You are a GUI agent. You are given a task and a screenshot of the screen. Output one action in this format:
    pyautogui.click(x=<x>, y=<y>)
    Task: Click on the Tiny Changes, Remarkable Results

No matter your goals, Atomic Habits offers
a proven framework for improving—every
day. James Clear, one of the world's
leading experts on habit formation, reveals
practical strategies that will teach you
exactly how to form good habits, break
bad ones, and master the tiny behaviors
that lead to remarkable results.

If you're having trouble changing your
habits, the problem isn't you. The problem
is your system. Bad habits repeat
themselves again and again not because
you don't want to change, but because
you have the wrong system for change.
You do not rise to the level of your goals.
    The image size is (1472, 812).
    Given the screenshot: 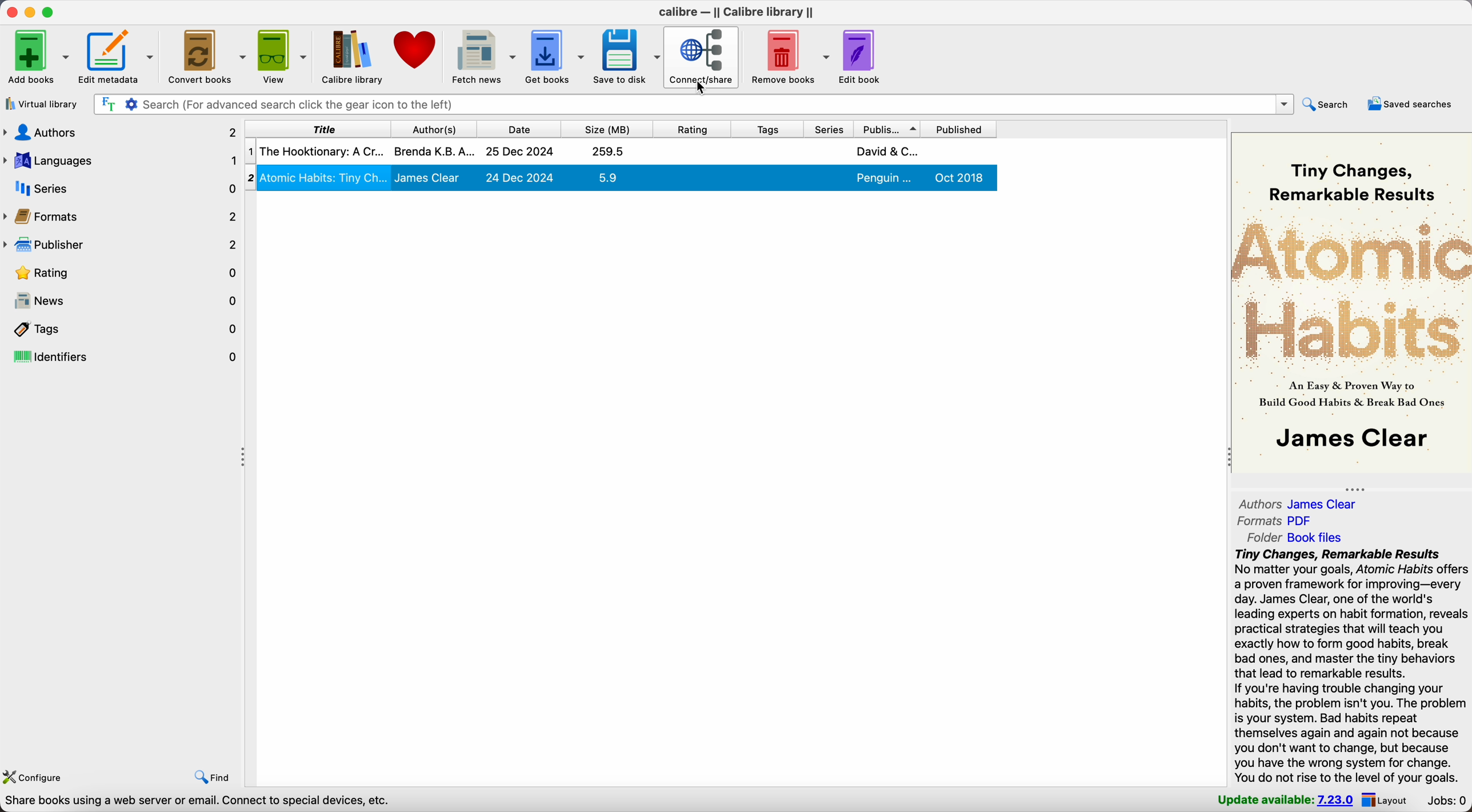 What is the action you would take?
    pyautogui.click(x=1350, y=667)
    